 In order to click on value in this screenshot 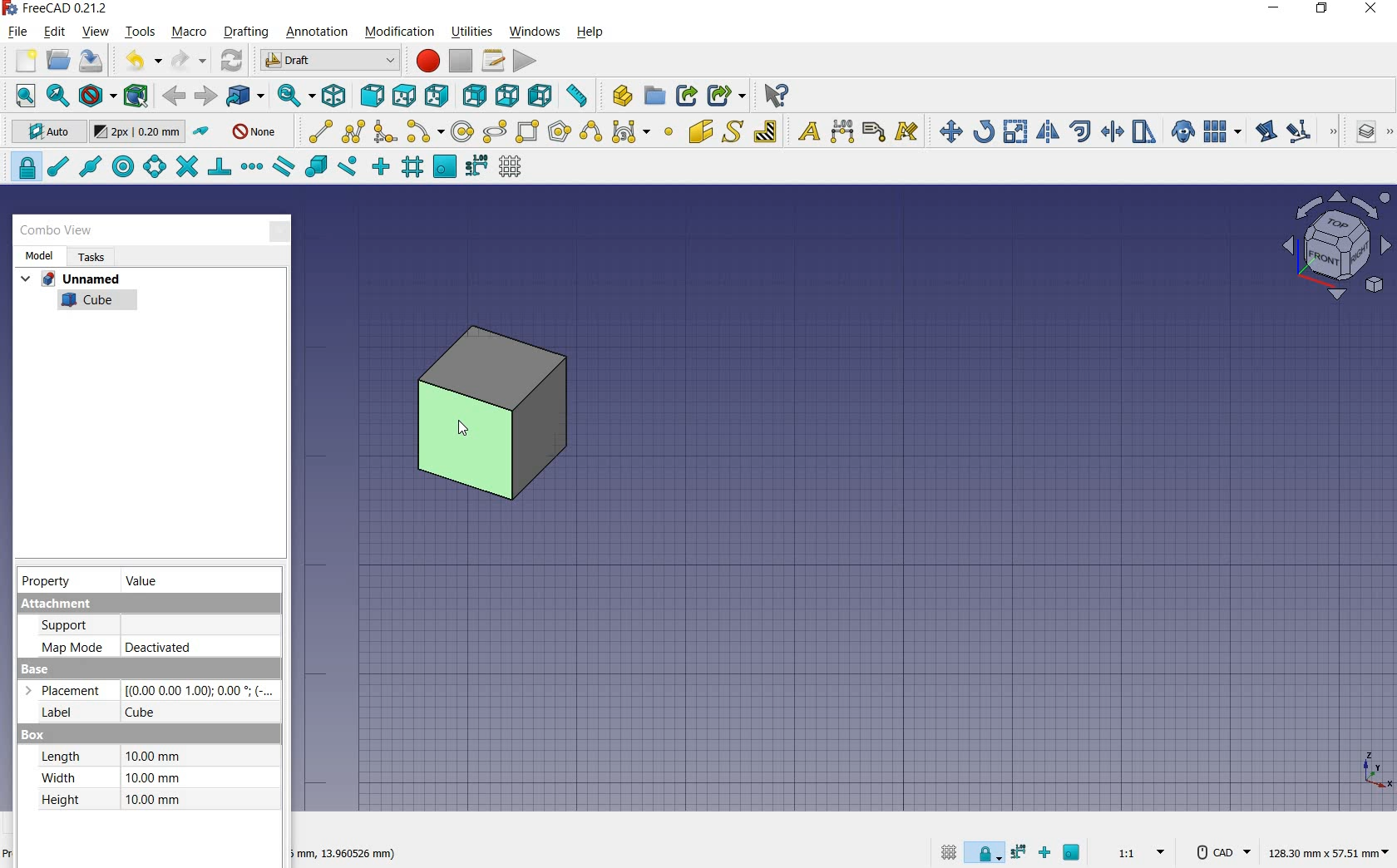, I will do `click(144, 581)`.